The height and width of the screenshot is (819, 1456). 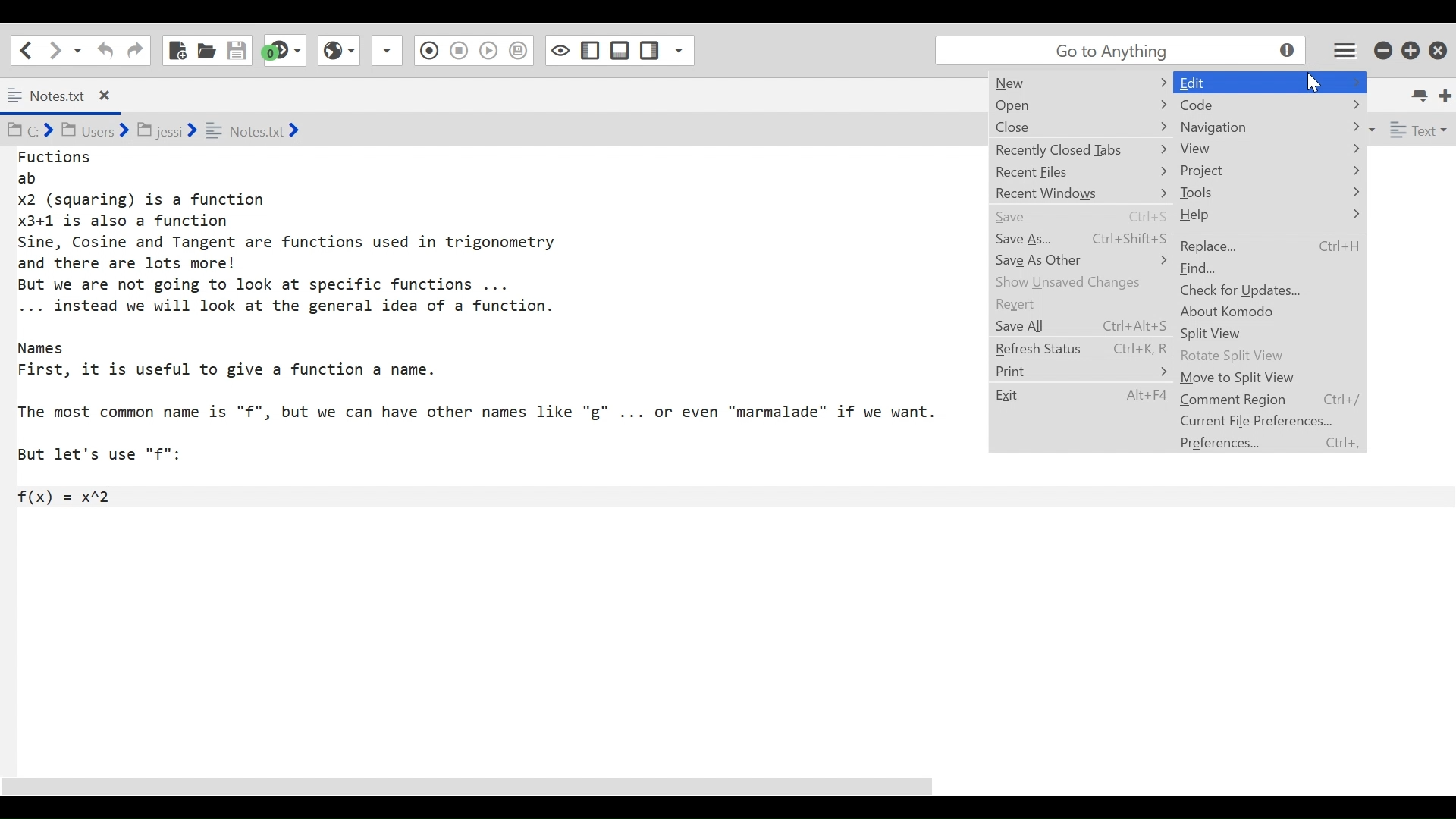 What do you see at coordinates (1038, 191) in the screenshot?
I see `recent windows` at bounding box center [1038, 191].